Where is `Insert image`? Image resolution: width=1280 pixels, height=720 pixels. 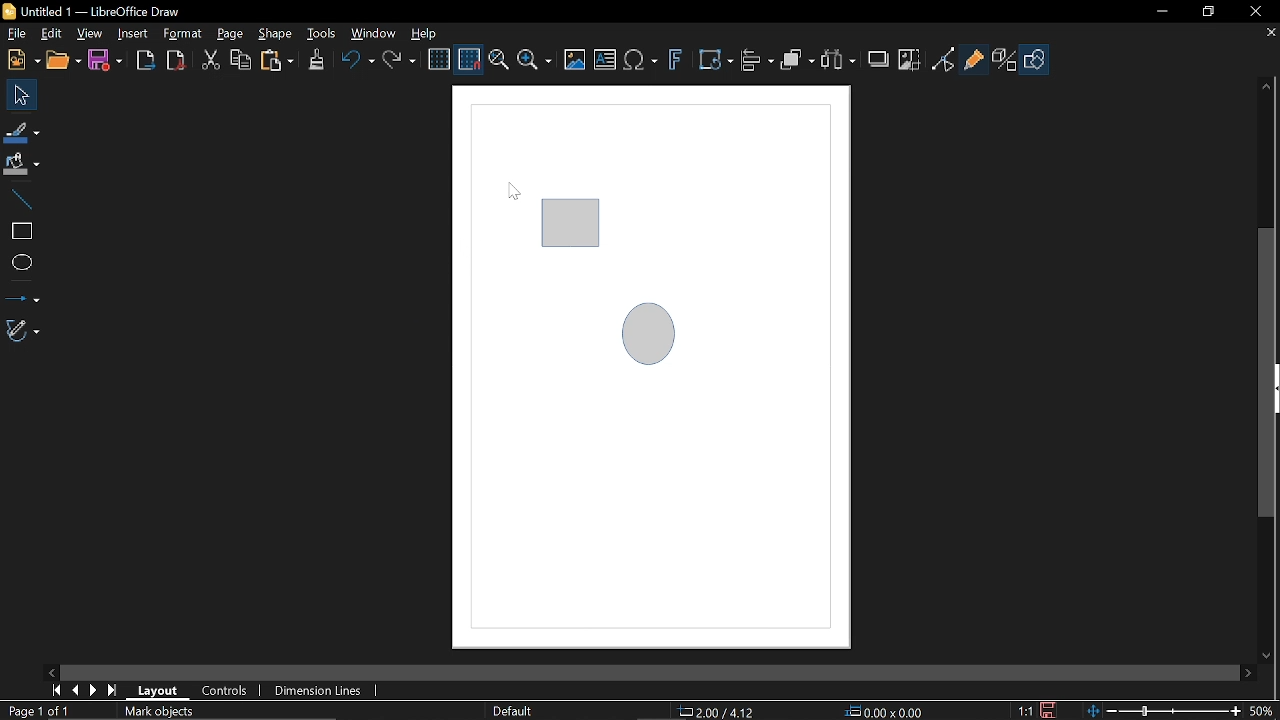 Insert image is located at coordinates (574, 60).